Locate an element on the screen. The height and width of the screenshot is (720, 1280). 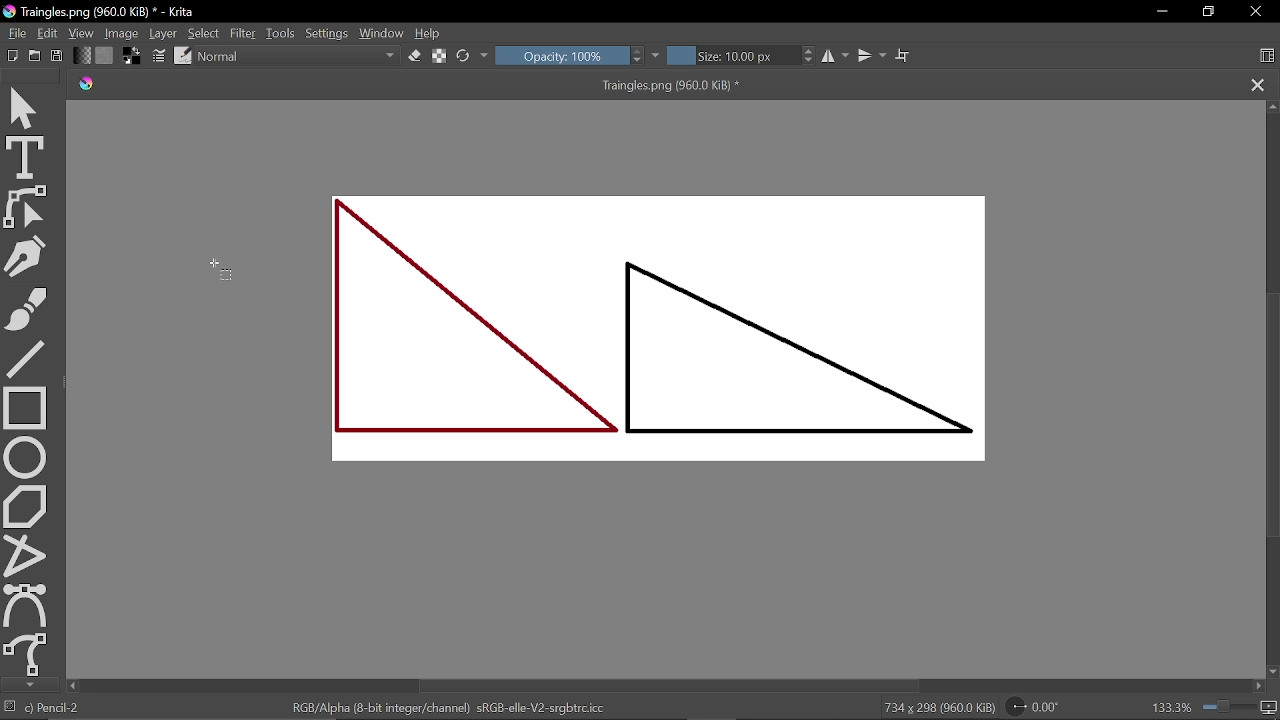
Save is located at coordinates (58, 57).